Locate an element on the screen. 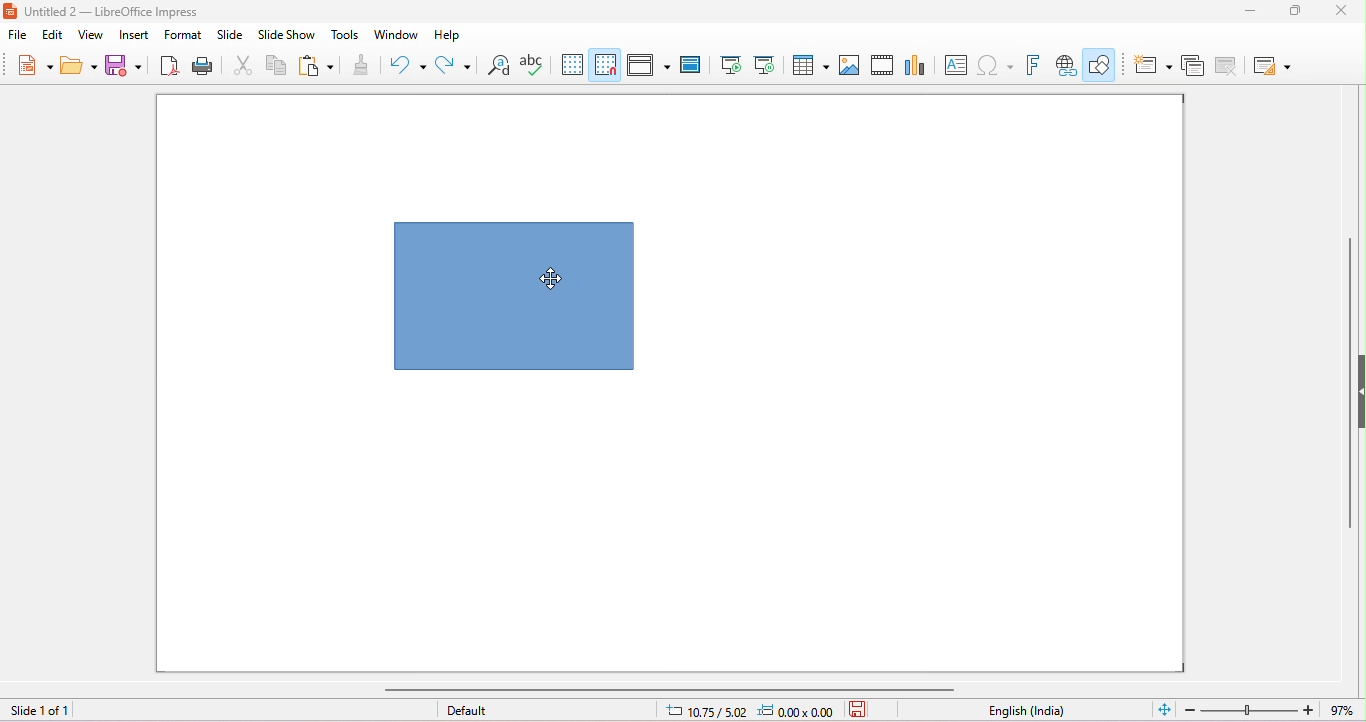 This screenshot has height=722, width=1366. slide layout is located at coordinates (1274, 67).